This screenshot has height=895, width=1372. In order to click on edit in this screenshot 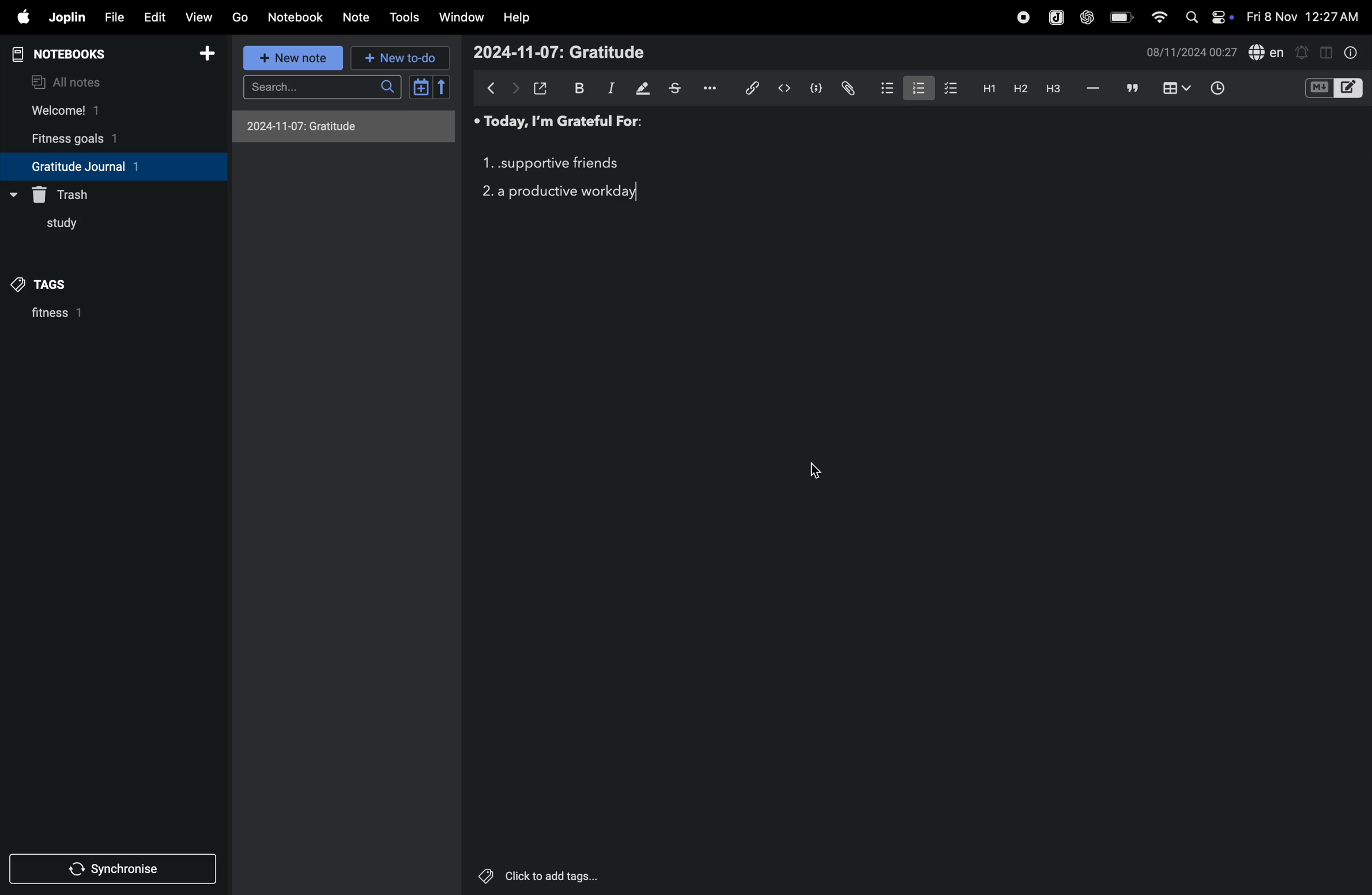, I will do `click(154, 18)`.